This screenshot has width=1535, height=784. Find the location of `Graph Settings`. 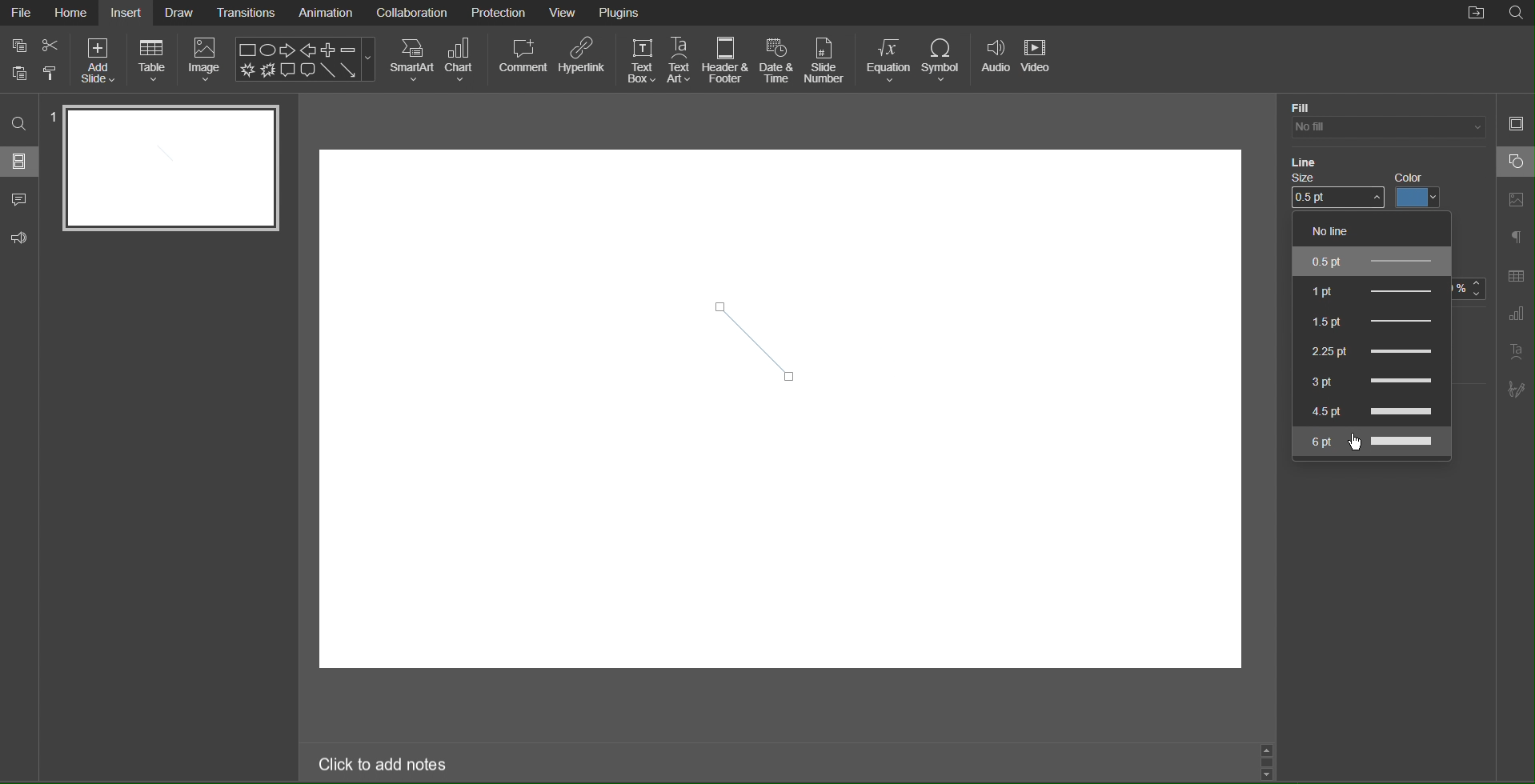

Graph Settings is located at coordinates (1515, 314).